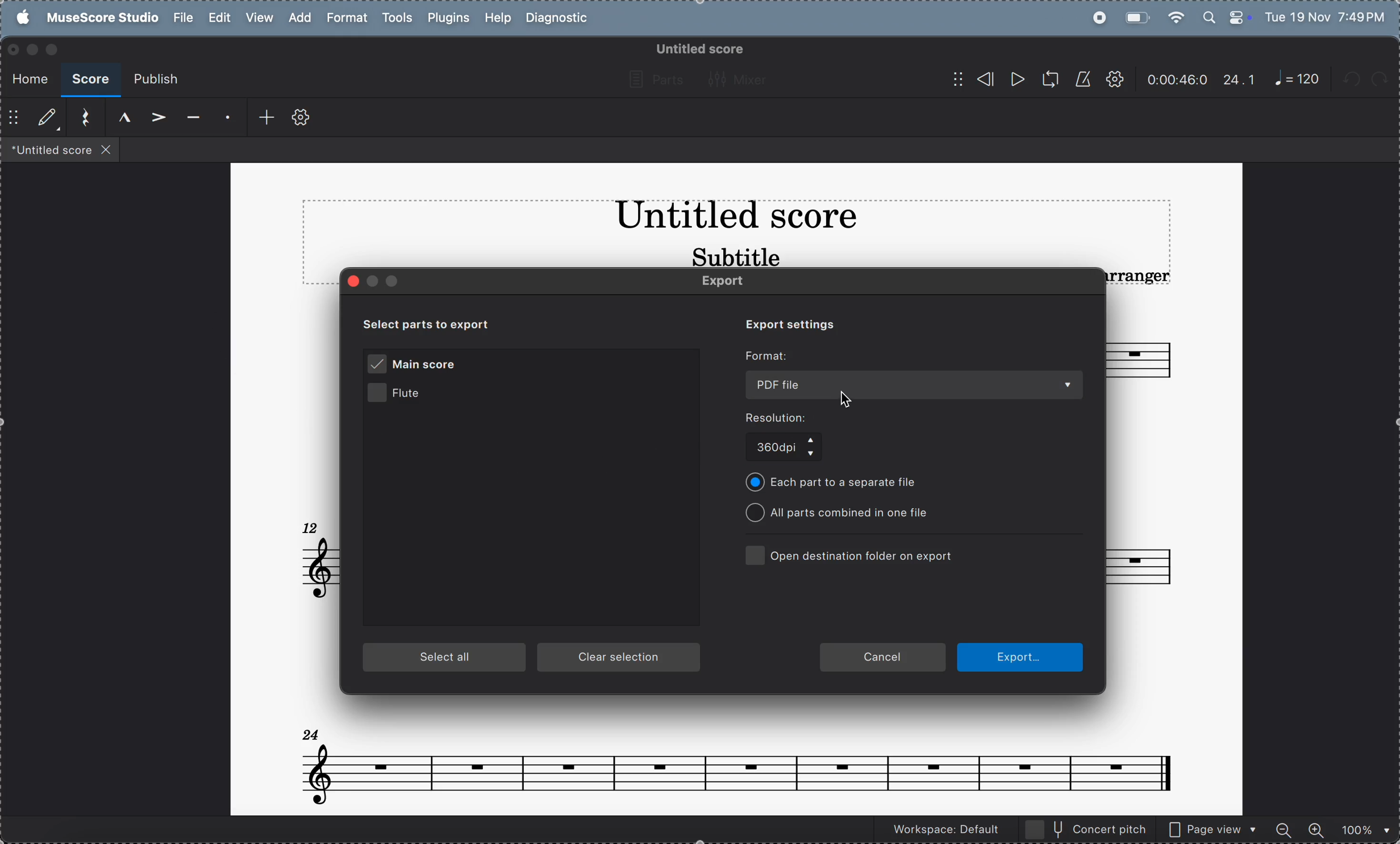 This screenshot has height=844, width=1400. I want to click on close, so click(355, 281).